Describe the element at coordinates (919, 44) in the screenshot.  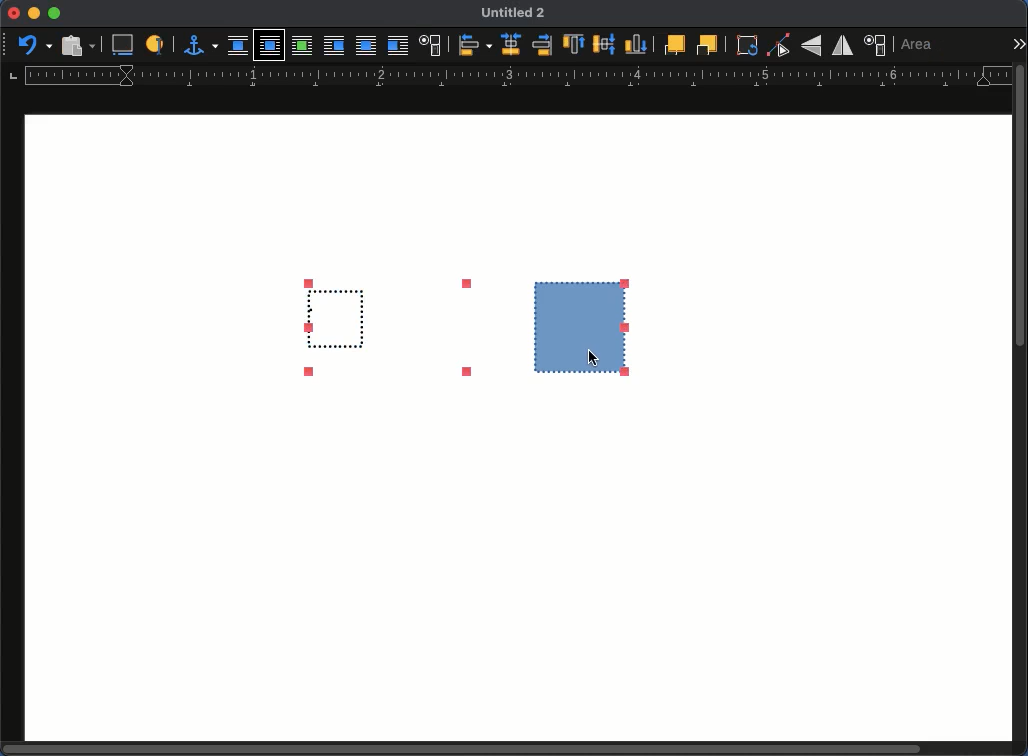
I see `area` at that location.